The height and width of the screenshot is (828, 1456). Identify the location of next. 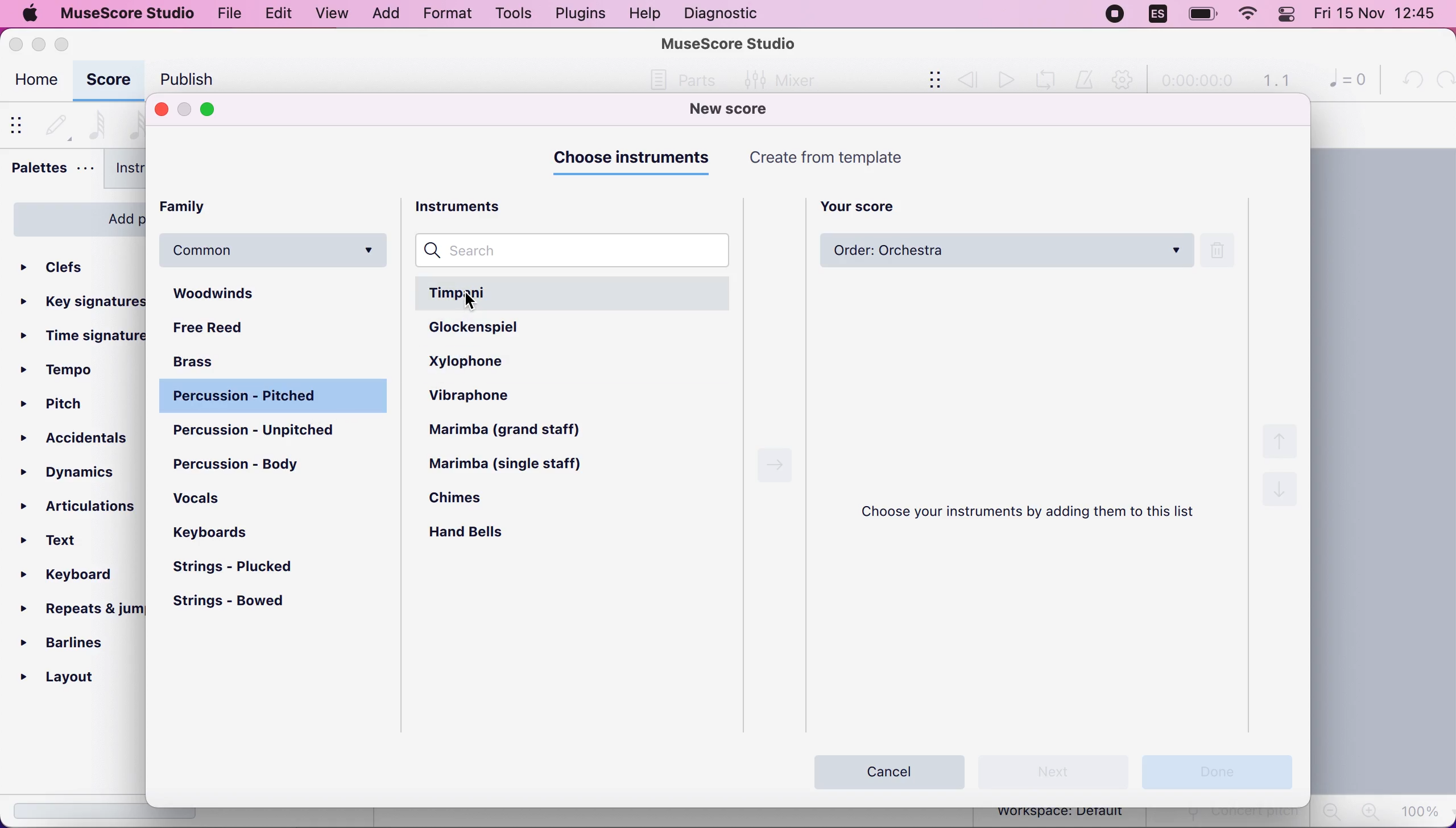
(1054, 771).